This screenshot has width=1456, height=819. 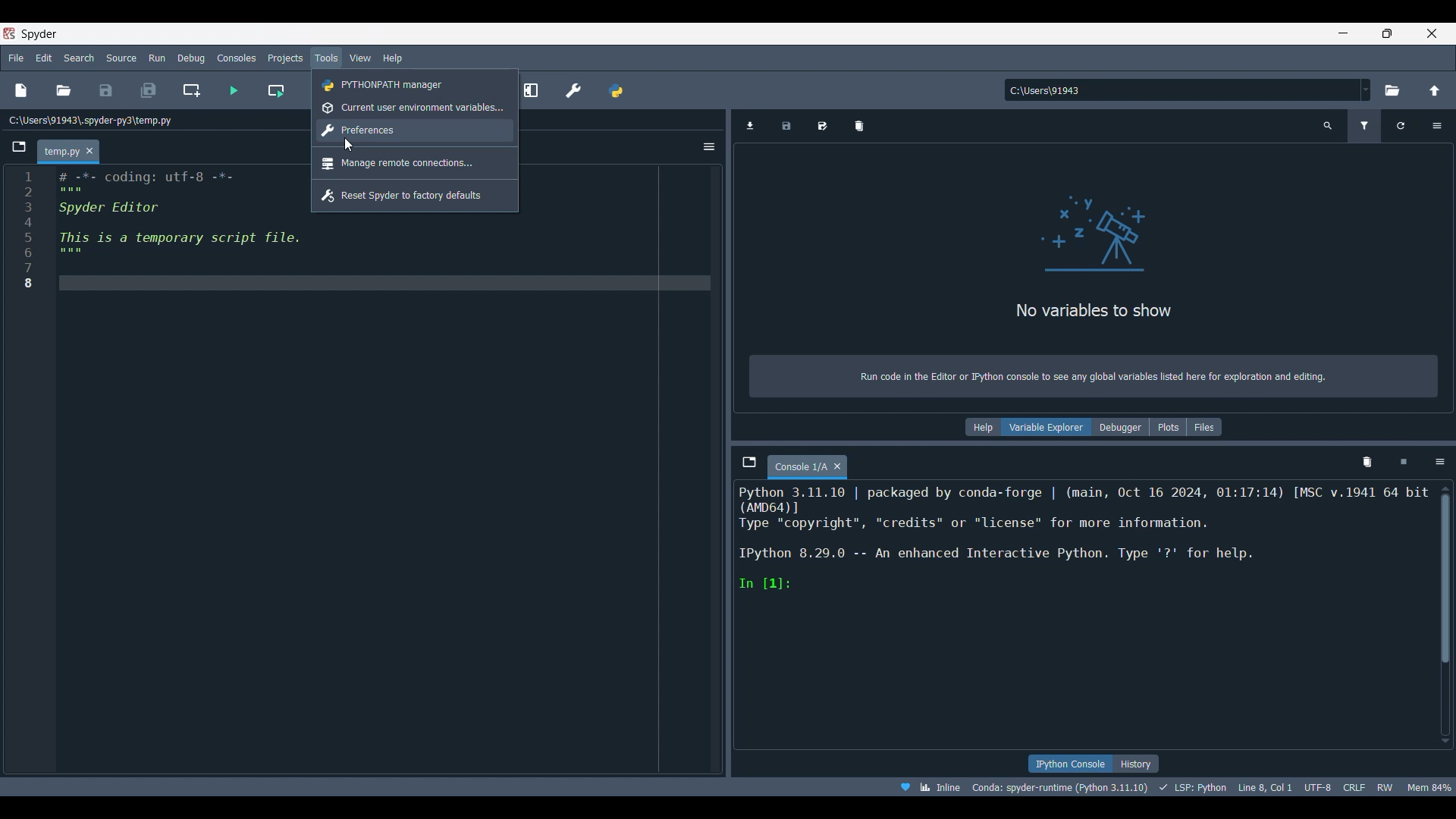 I want to click on Consoles menu, so click(x=236, y=58).